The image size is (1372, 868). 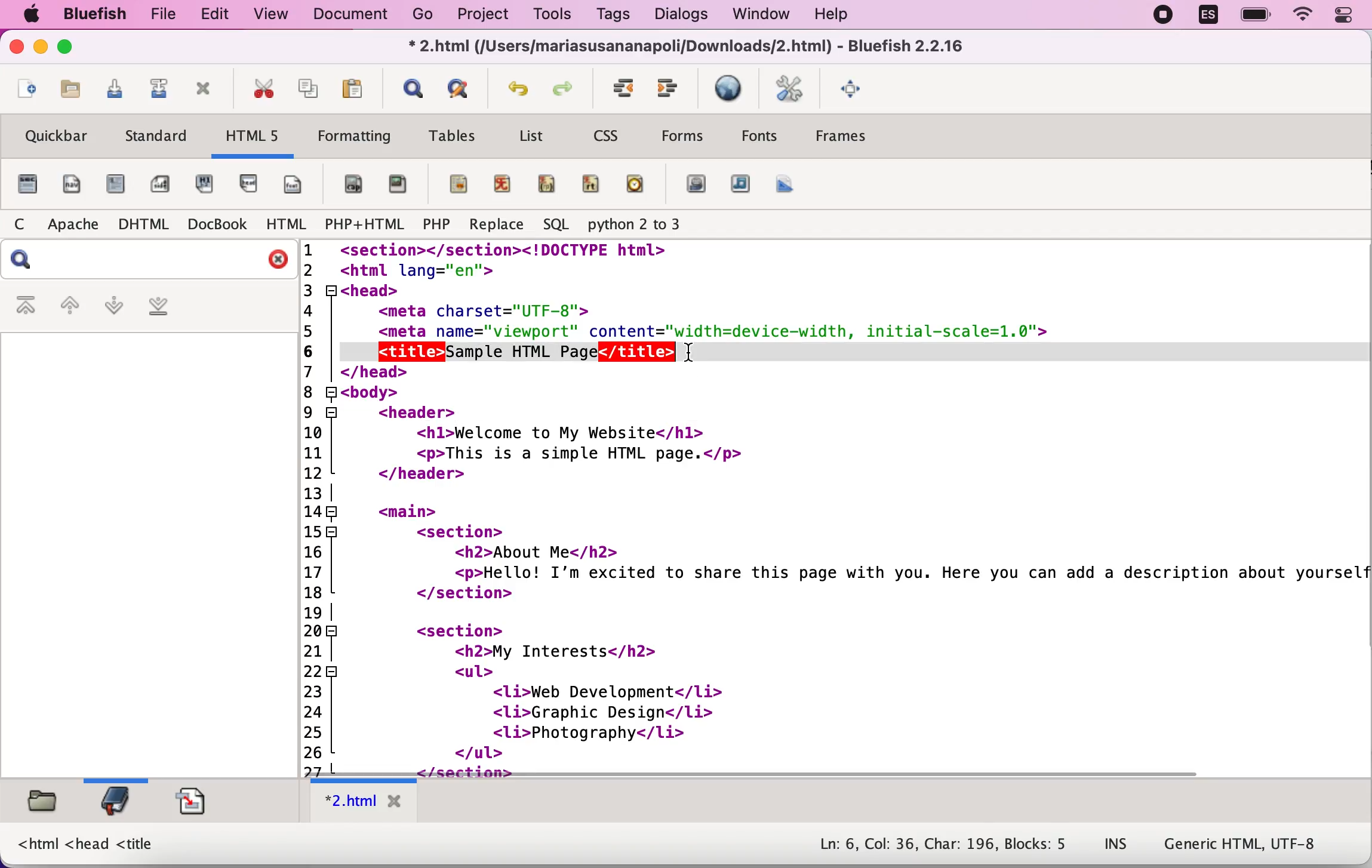 What do you see at coordinates (1116, 845) in the screenshot?
I see `INS` at bounding box center [1116, 845].